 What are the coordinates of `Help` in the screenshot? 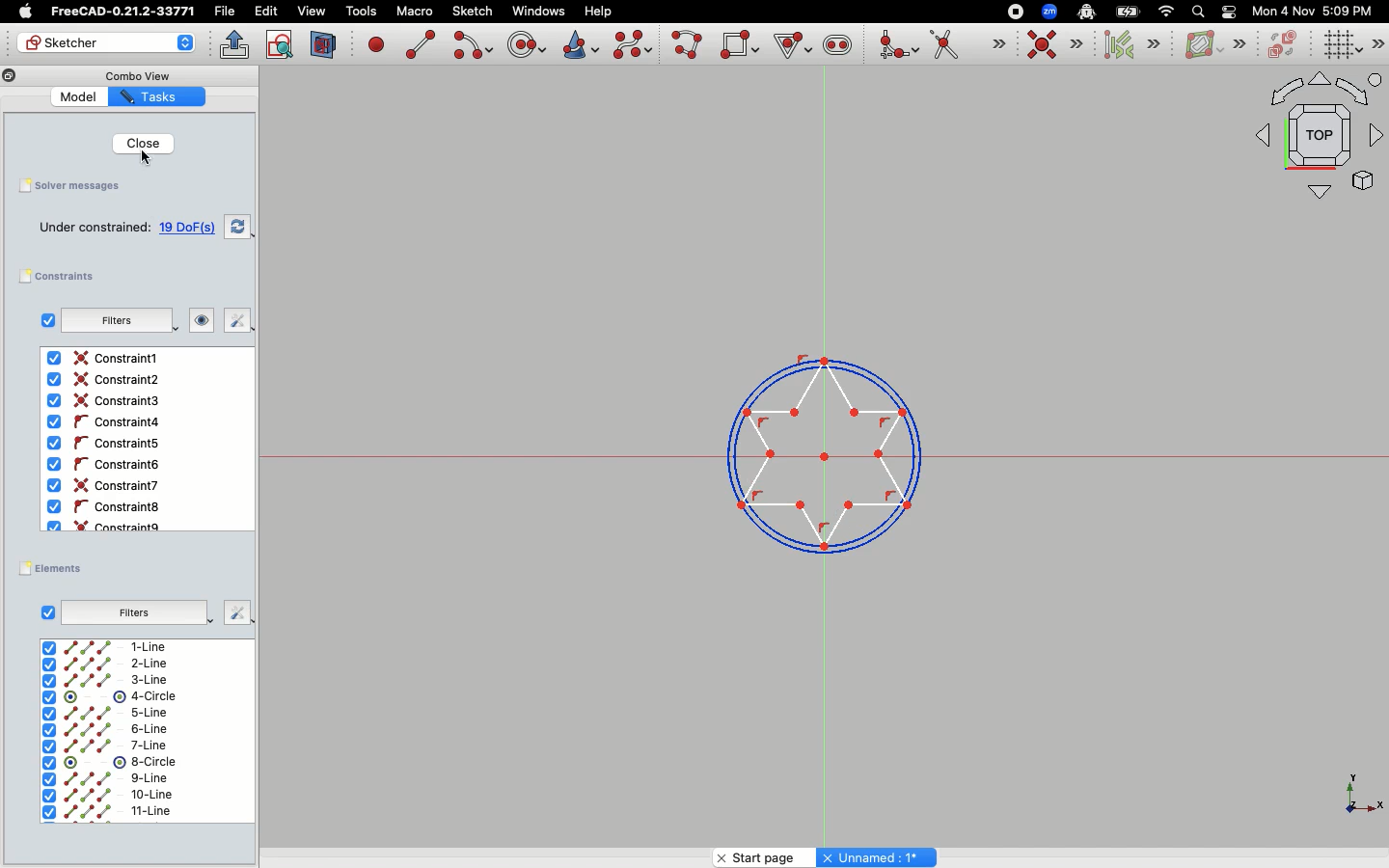 It's located at (599, 10).